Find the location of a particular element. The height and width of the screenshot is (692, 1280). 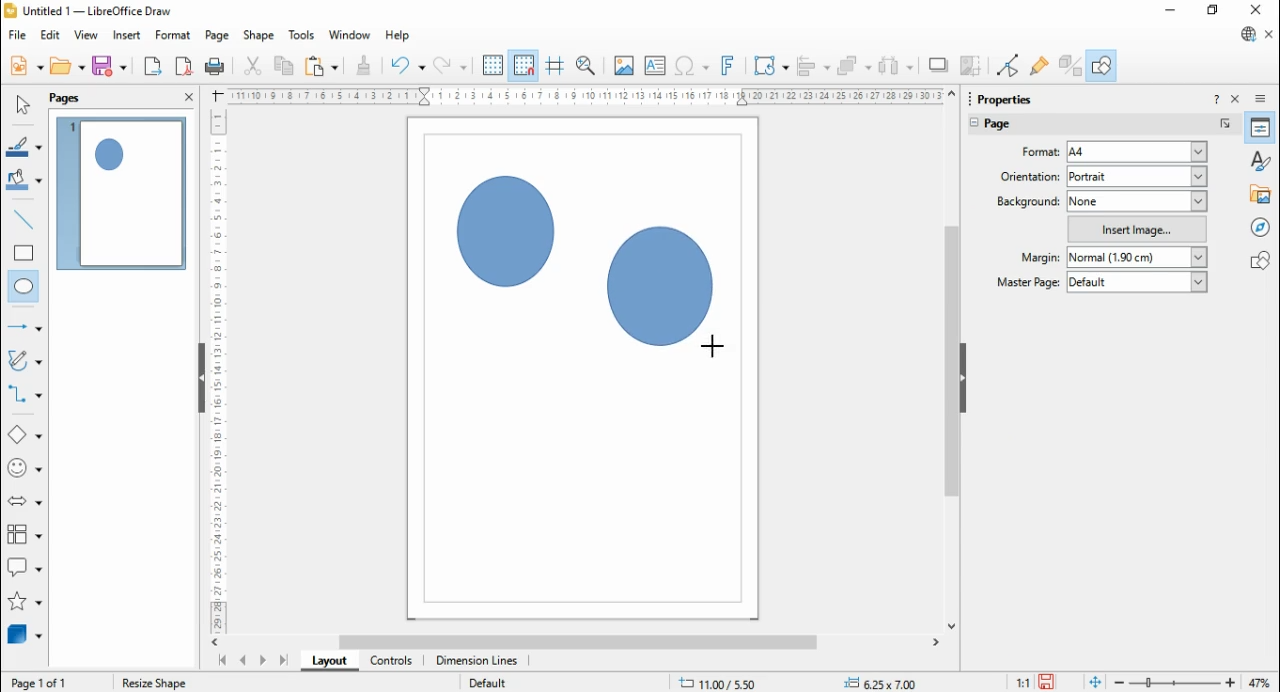

basic shapes is located at coordinates (25, 437).